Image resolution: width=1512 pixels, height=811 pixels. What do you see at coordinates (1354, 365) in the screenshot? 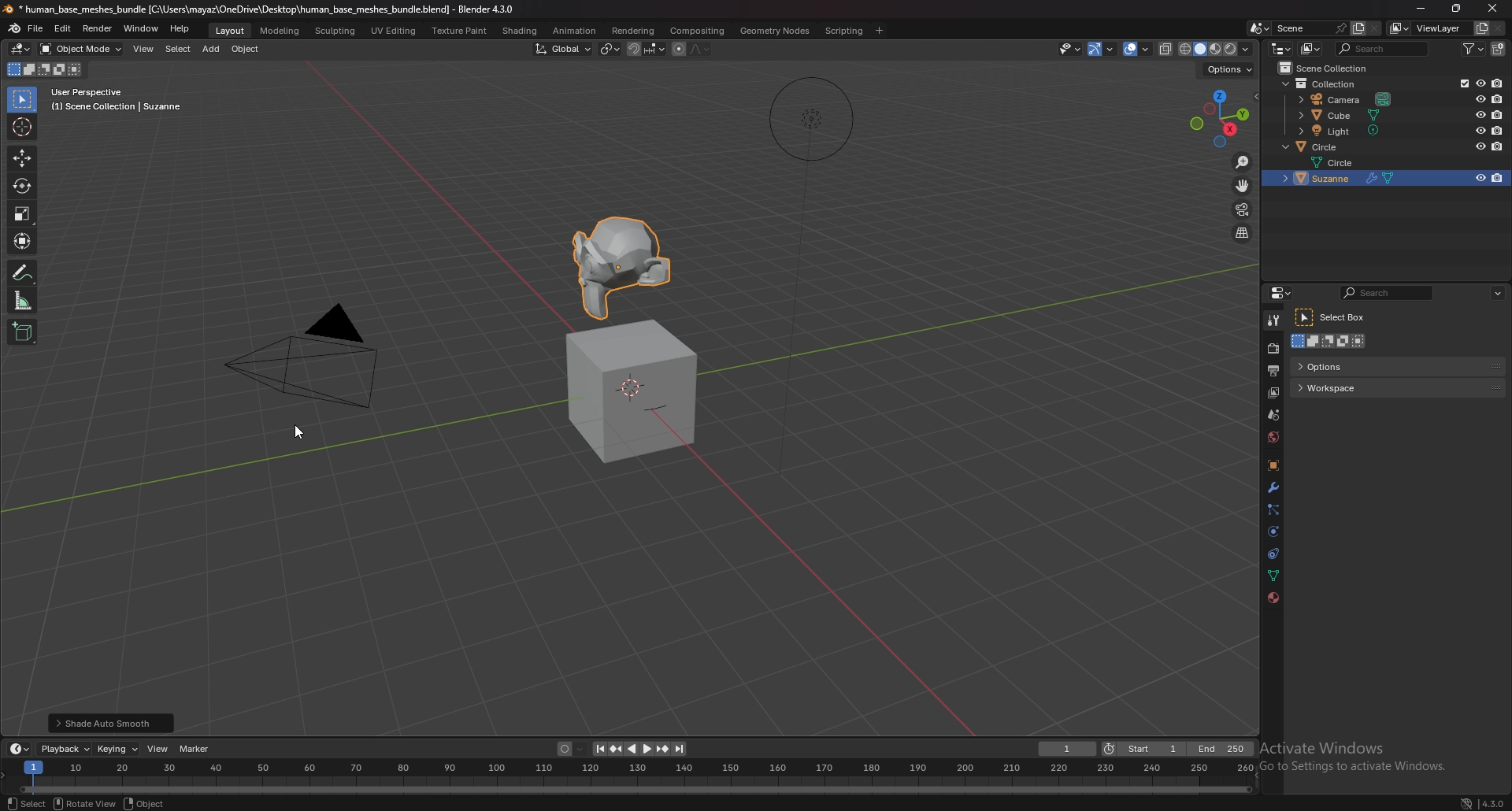
I see `options` at bounding box center [1354, 365].